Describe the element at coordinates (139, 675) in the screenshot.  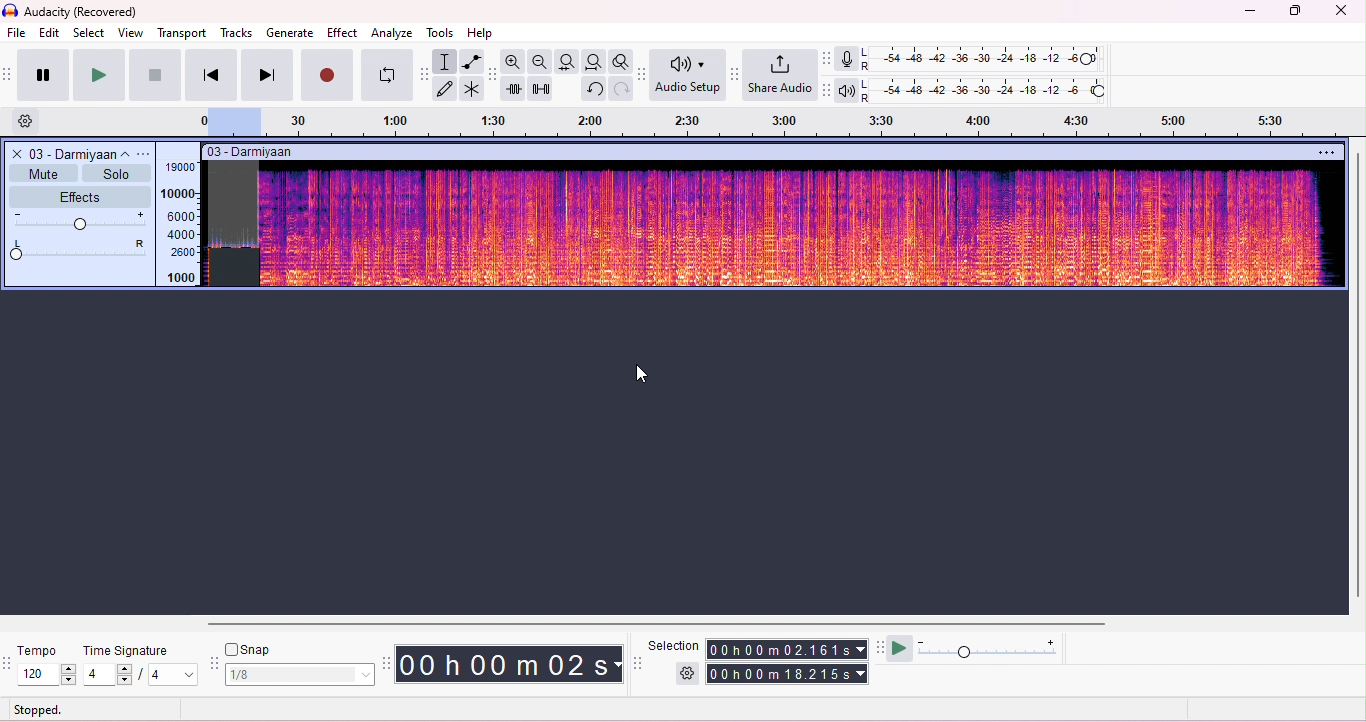
I see `select time signature` at that location.